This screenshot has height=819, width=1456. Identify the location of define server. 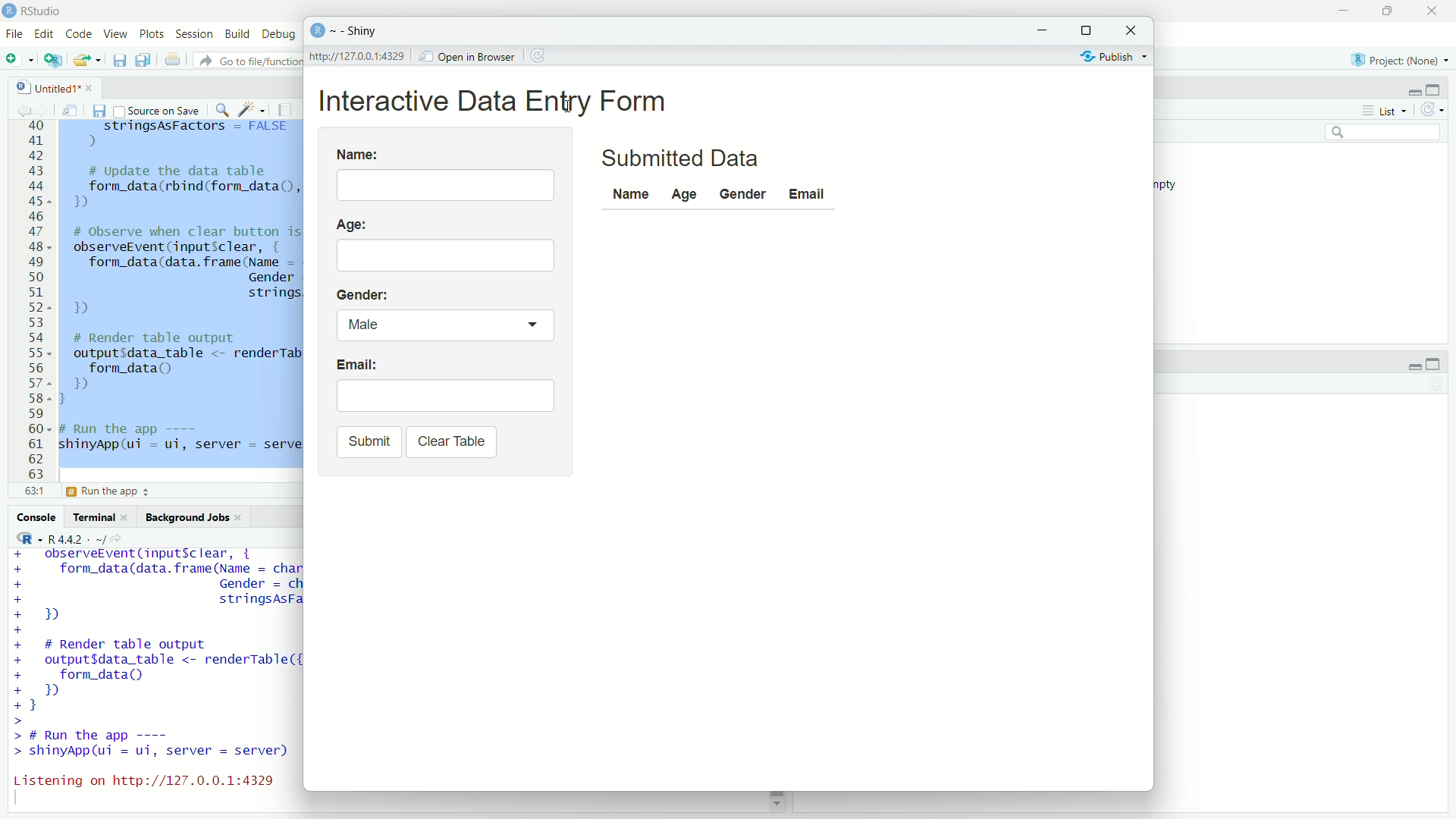
(109, 494).